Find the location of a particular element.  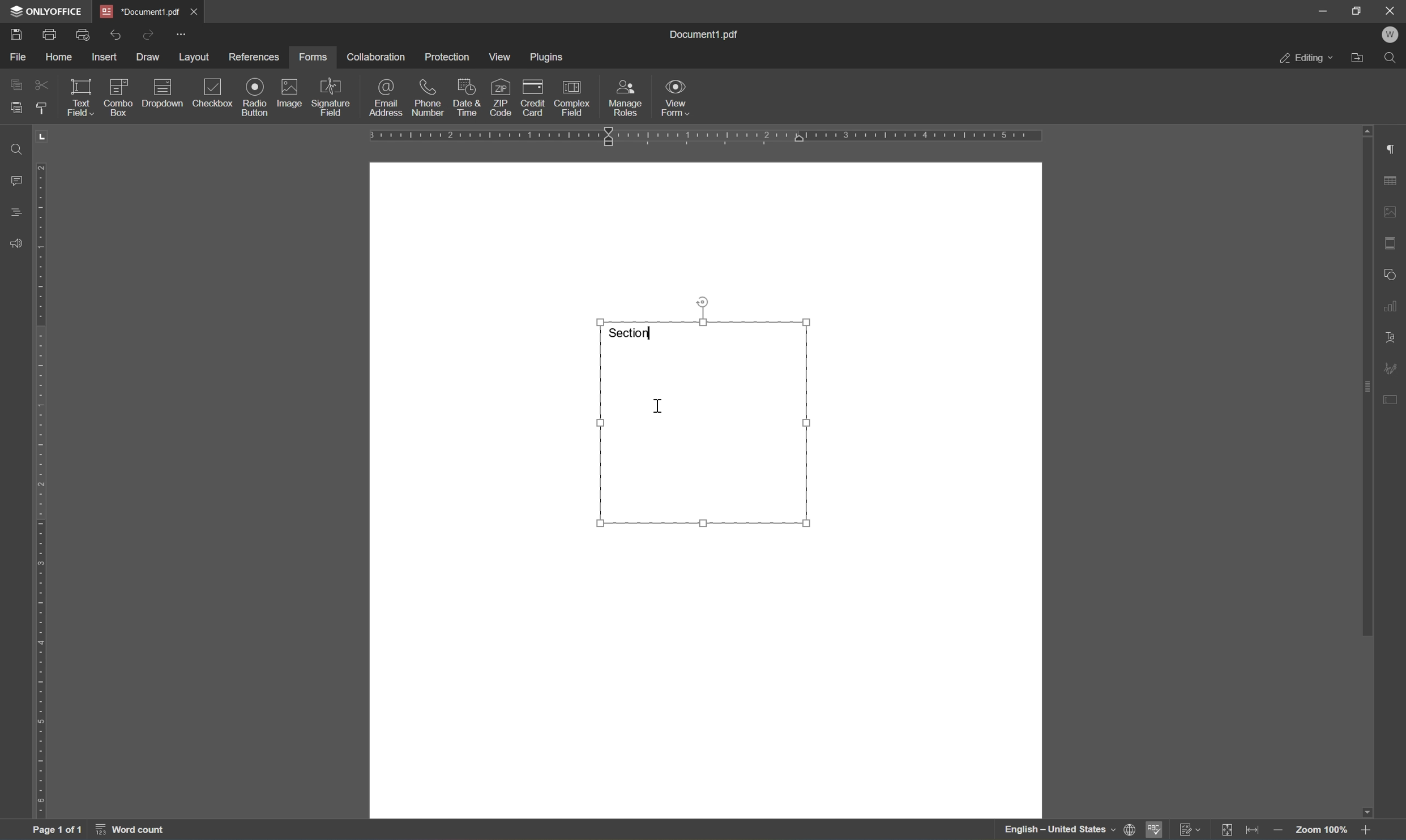

copy is located at coordinates (17, 83).